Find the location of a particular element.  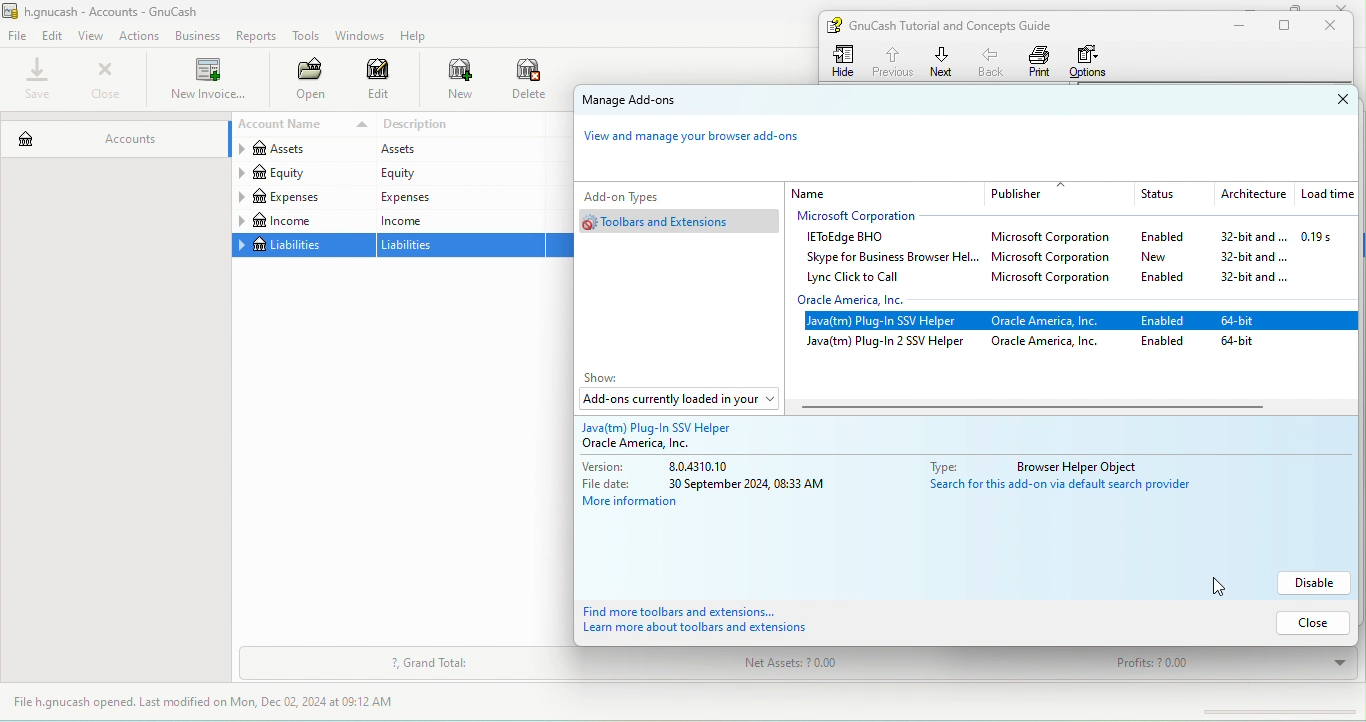

oracle america lnc is located at coordinates (1052, 322).